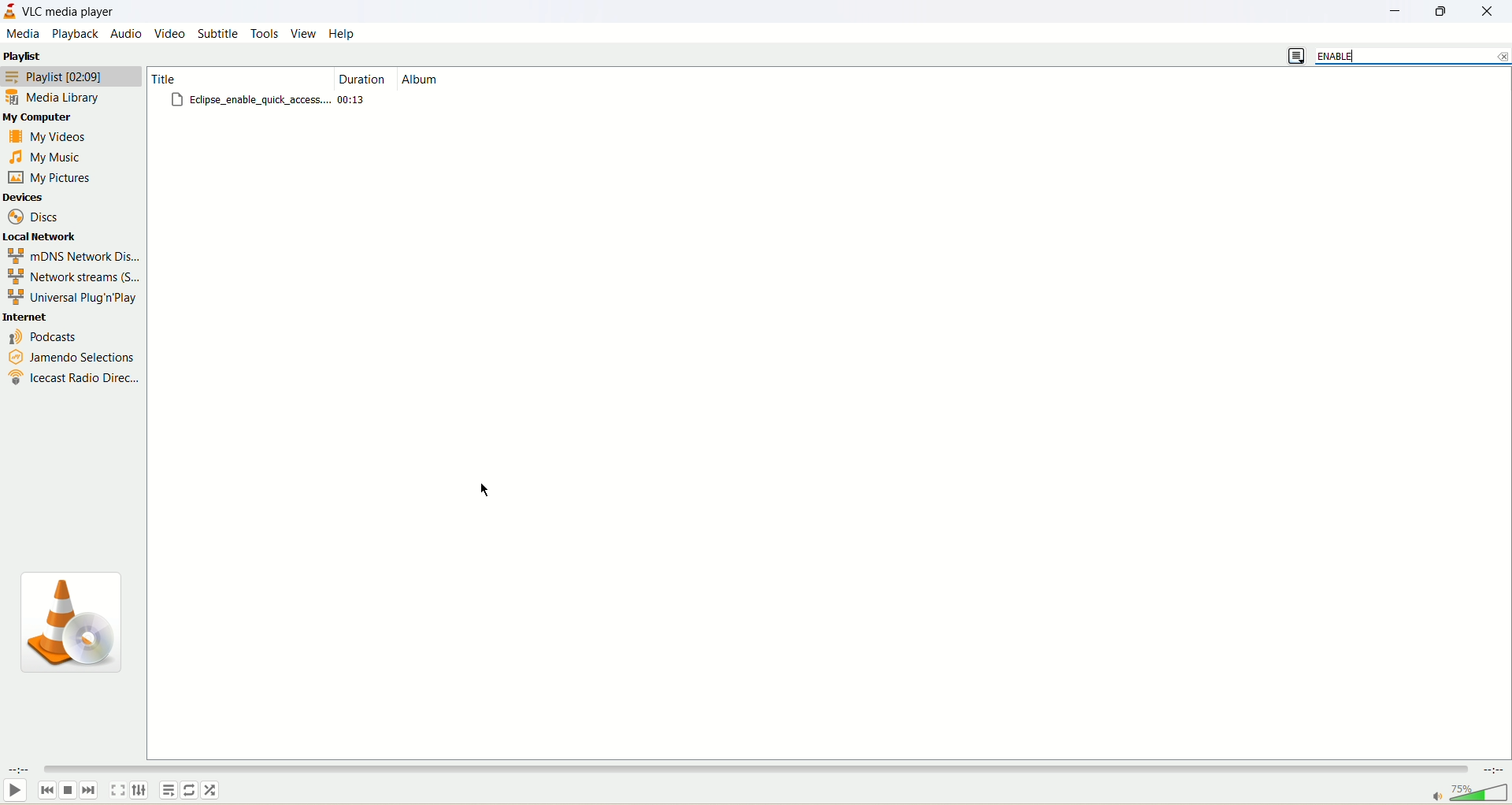 The width and height of the screenshot is (1512, 805). I want to click on Title , so click(238, 78).